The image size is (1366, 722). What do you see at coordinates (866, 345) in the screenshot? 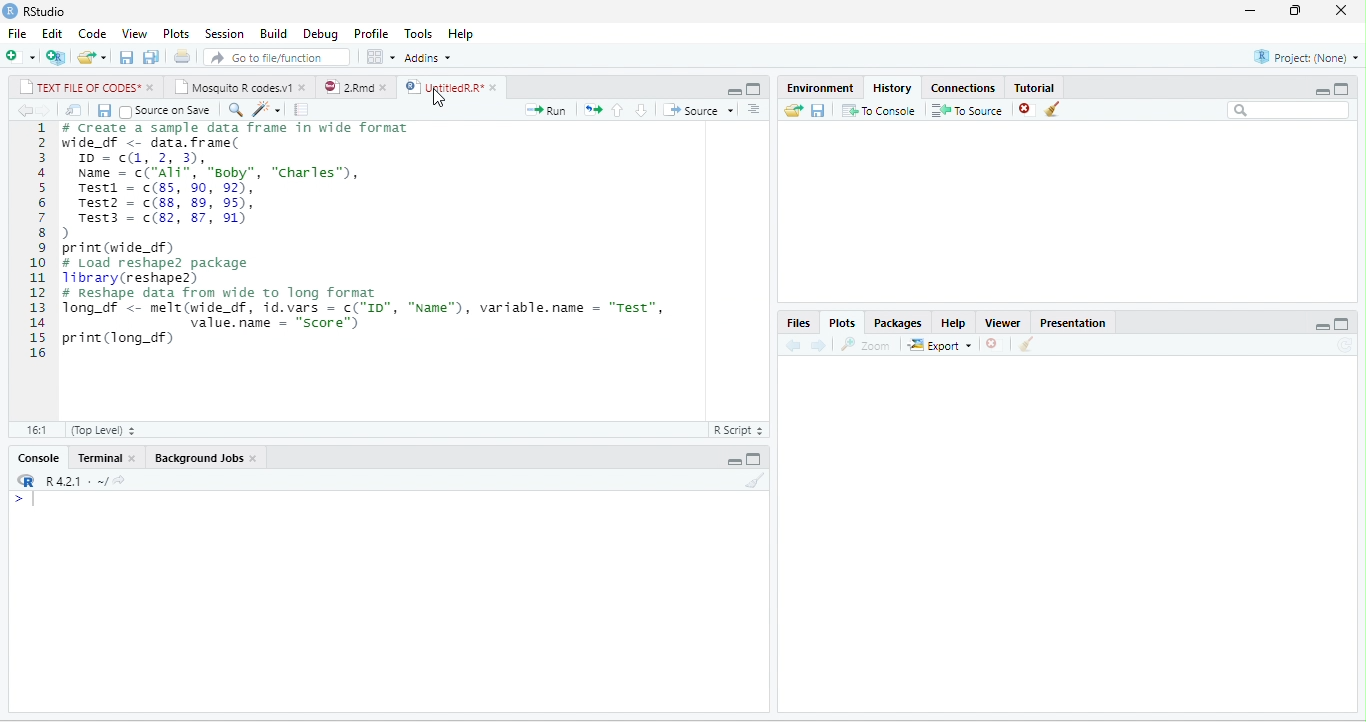
I see `Zoom` at bounding box center [866, 345].